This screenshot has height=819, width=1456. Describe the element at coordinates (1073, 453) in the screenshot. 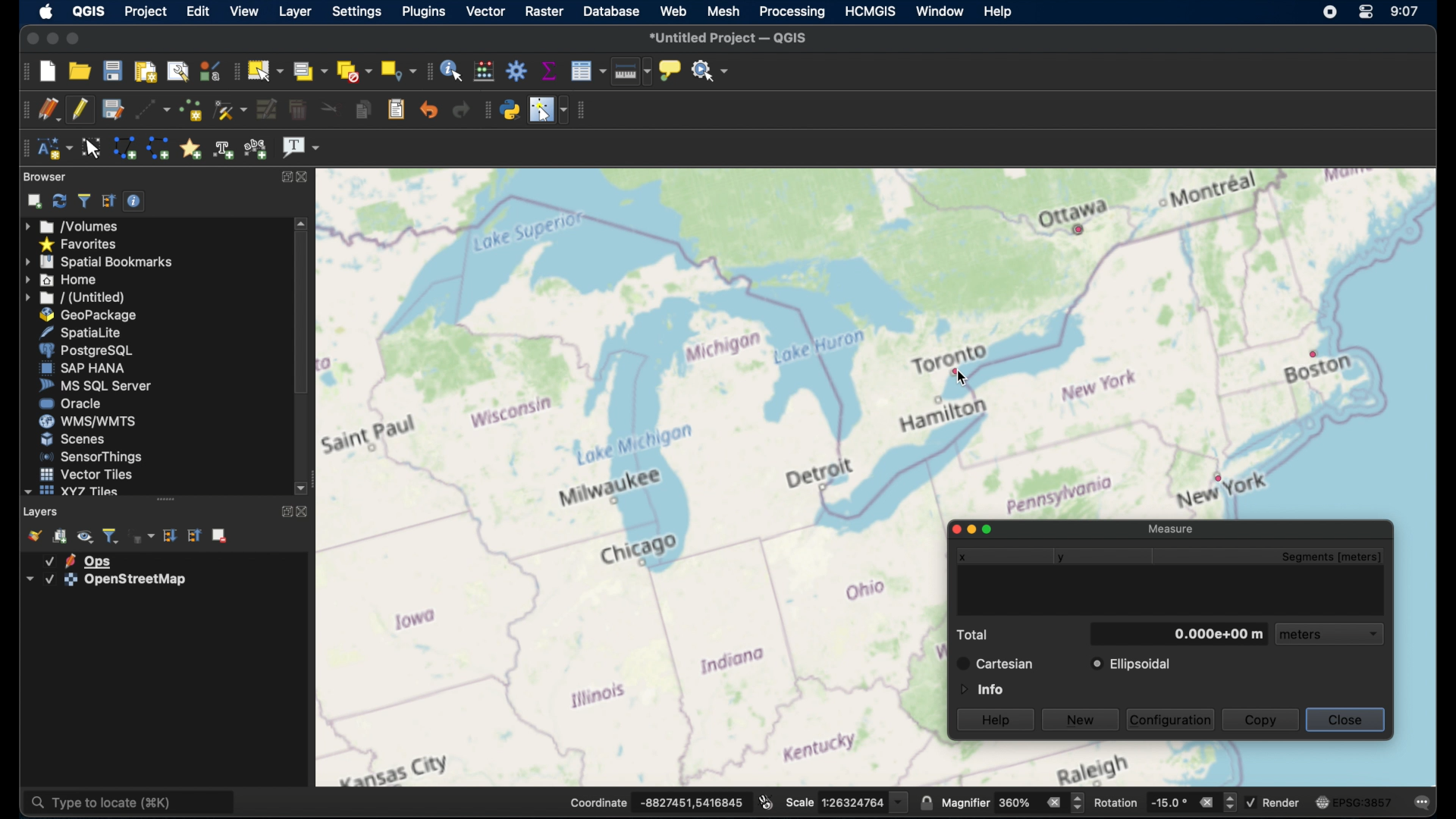

I see `open street map` at that location.